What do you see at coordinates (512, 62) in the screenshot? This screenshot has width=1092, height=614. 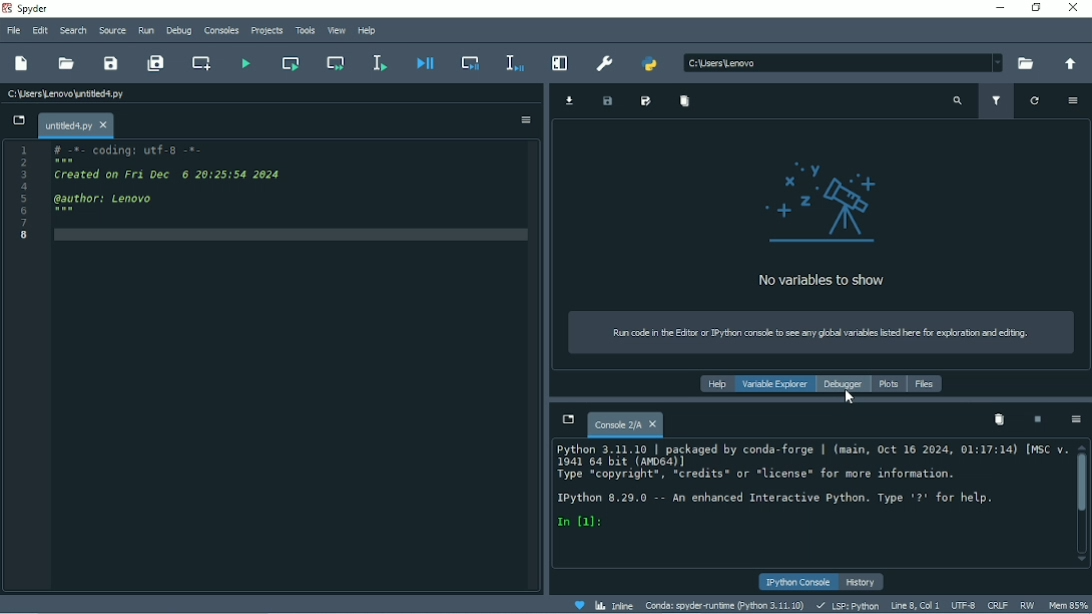 I see `Debug selection or current line` at bounding box center [512, 62].